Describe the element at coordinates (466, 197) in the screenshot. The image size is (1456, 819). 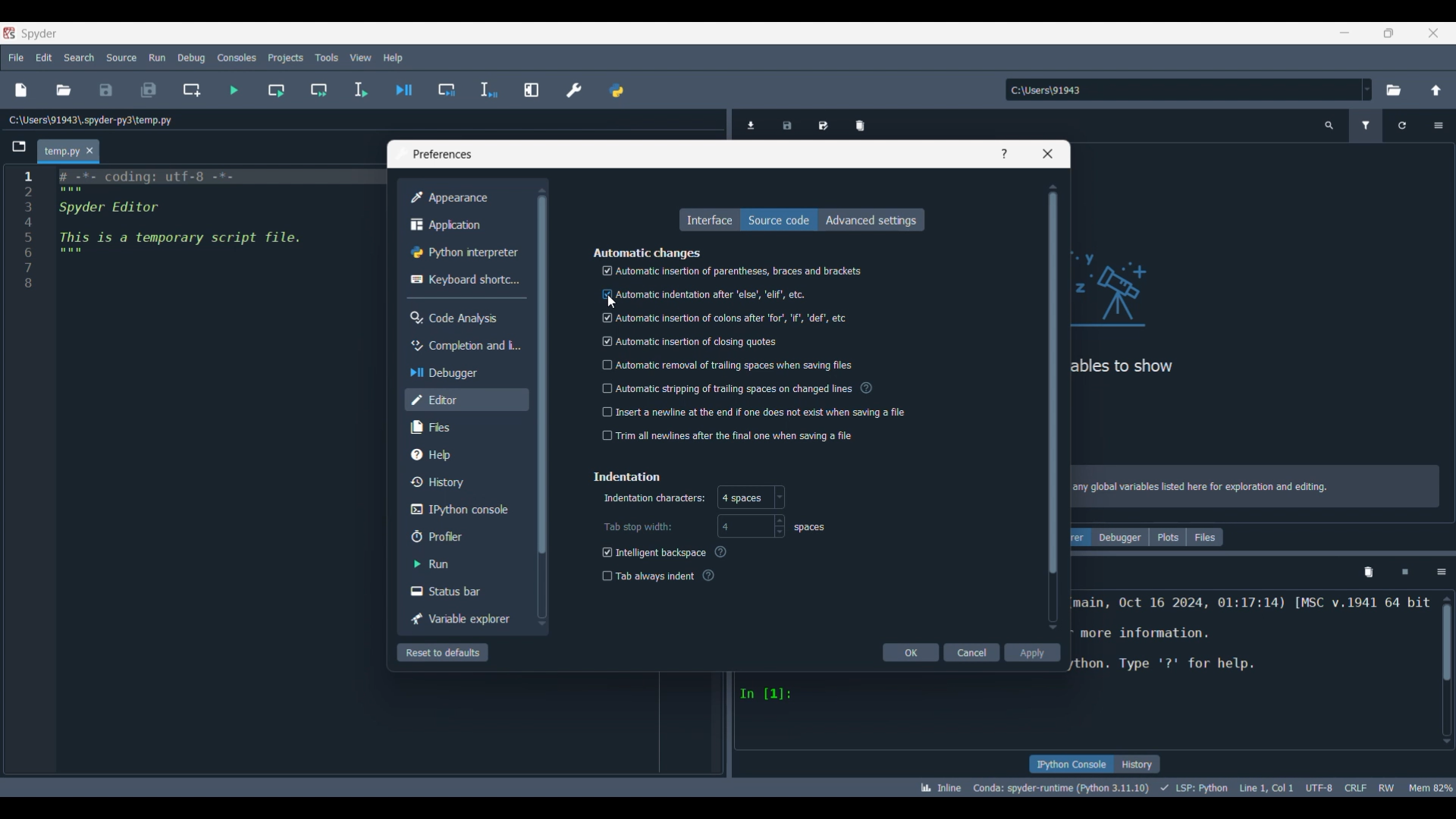
I see `Appearance` at that location.